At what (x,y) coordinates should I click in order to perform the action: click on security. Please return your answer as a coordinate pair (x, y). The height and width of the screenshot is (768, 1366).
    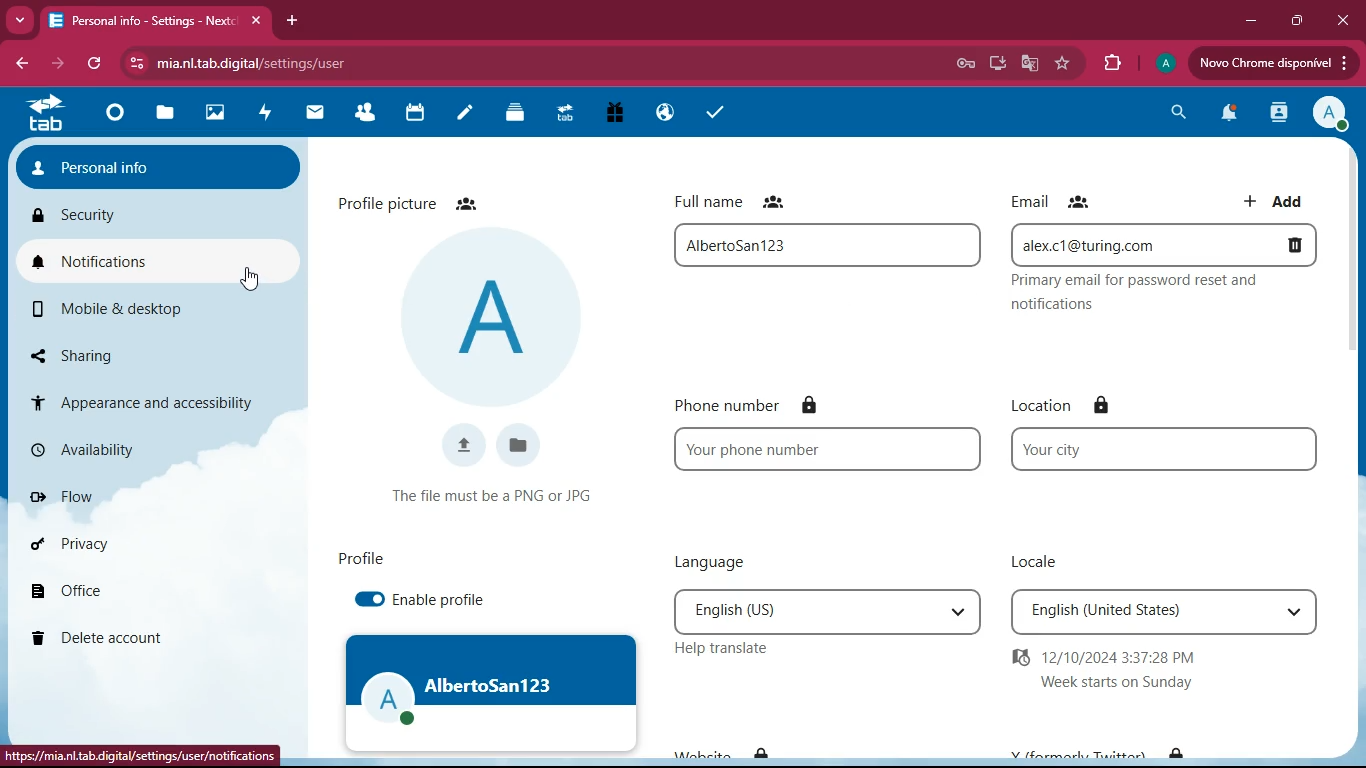
    Looking at the image, I should click on (155, 212).